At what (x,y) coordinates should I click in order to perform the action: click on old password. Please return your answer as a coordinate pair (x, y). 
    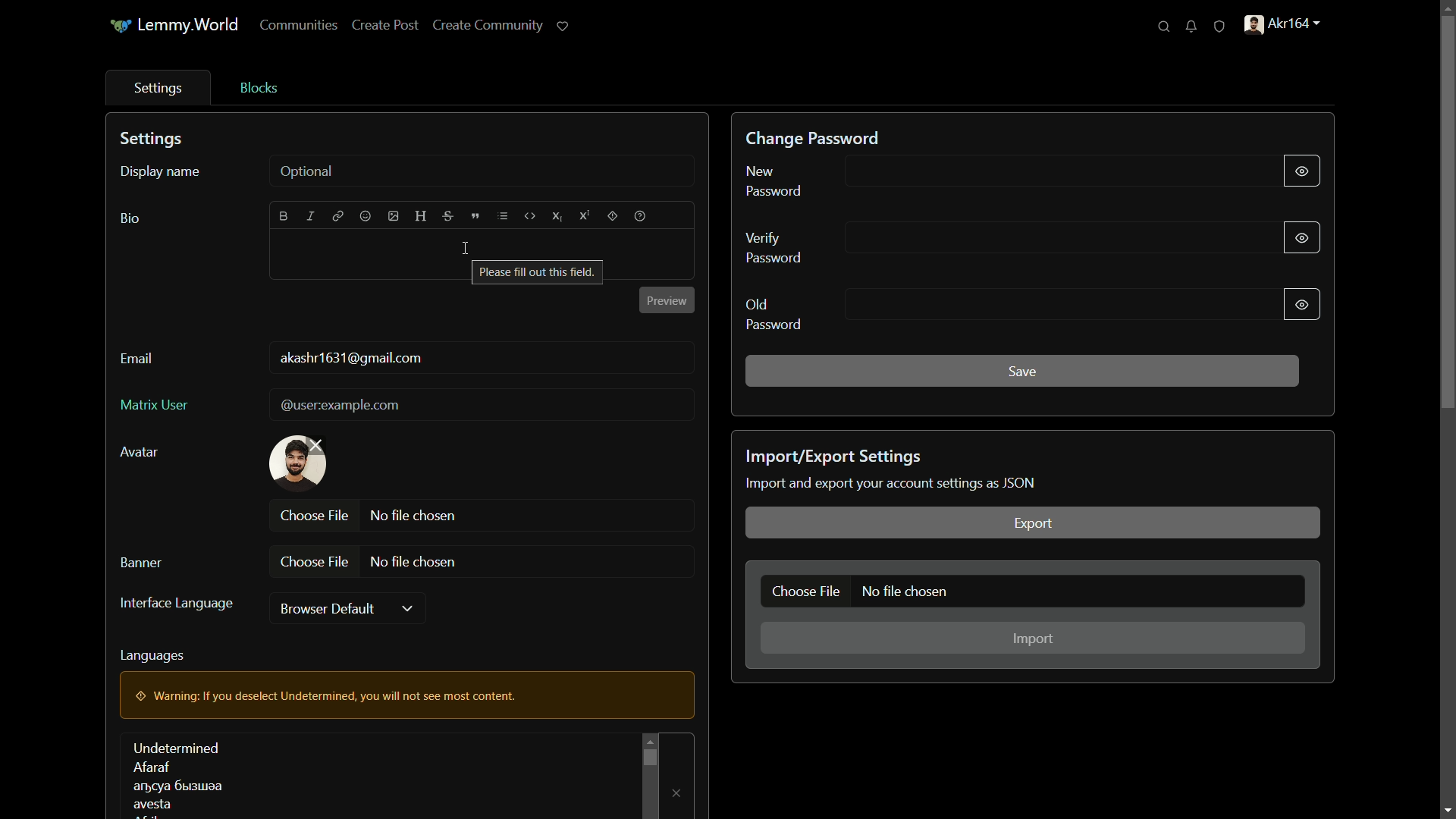
    Looking at the image, I should click on (773, 315).